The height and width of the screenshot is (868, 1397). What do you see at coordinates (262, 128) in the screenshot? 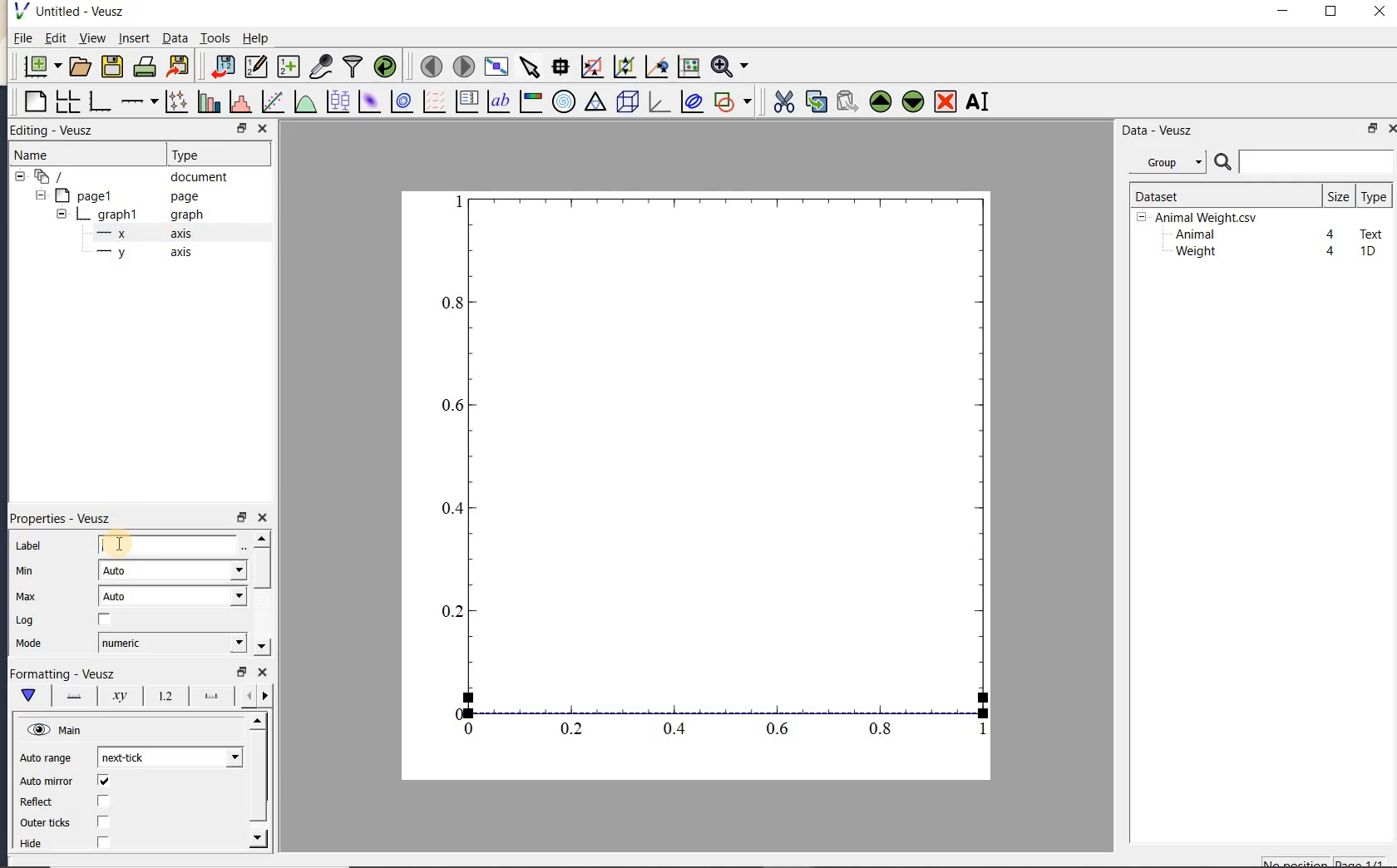
I see `CLOSE` at bounding box center [262, 128].